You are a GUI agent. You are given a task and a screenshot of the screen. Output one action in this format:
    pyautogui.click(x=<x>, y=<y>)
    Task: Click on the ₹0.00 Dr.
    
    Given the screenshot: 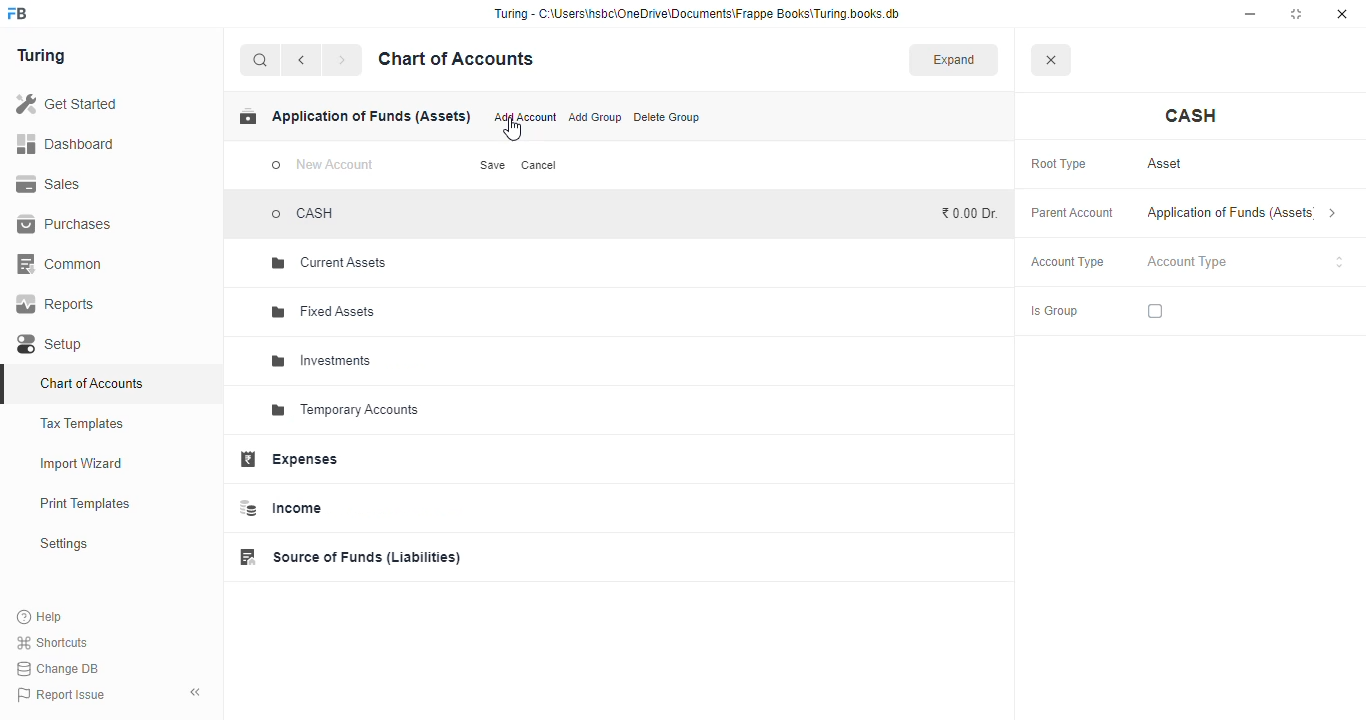 What is the action you would take?
    pyautogui.click(x=968, y=213)
    